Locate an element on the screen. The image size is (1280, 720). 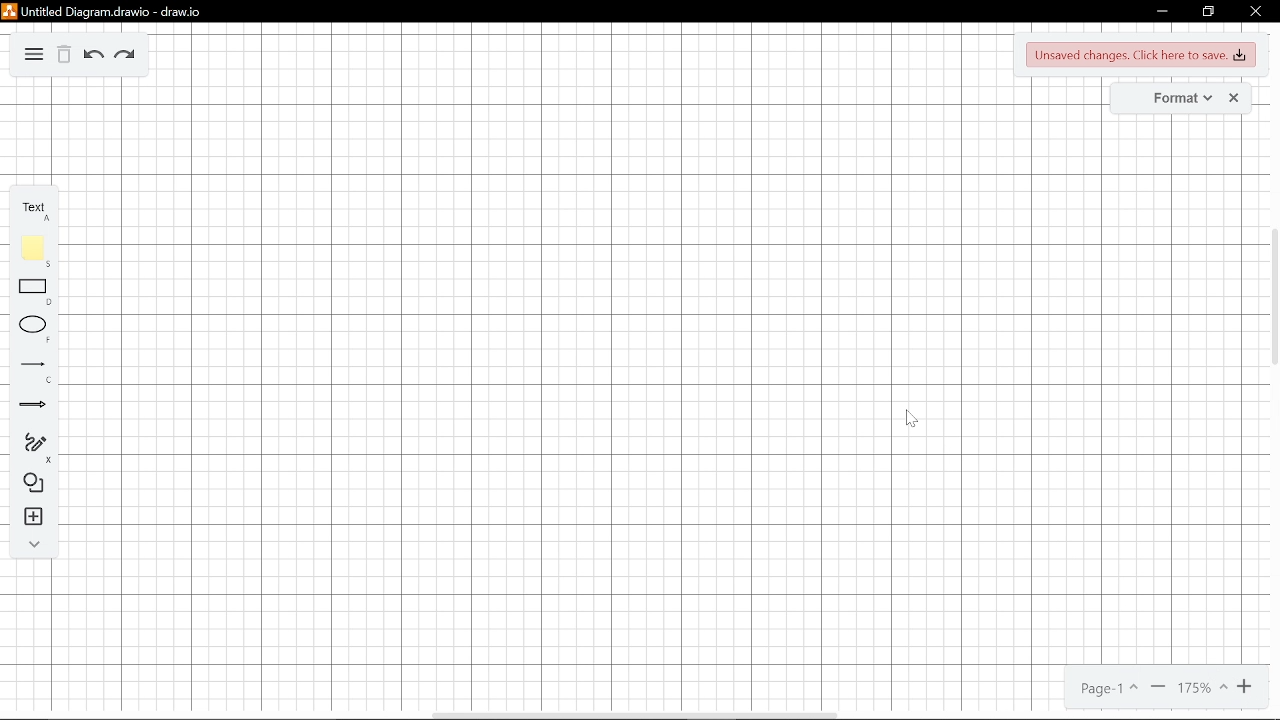
restore down is located at coordinates (1209, 11).